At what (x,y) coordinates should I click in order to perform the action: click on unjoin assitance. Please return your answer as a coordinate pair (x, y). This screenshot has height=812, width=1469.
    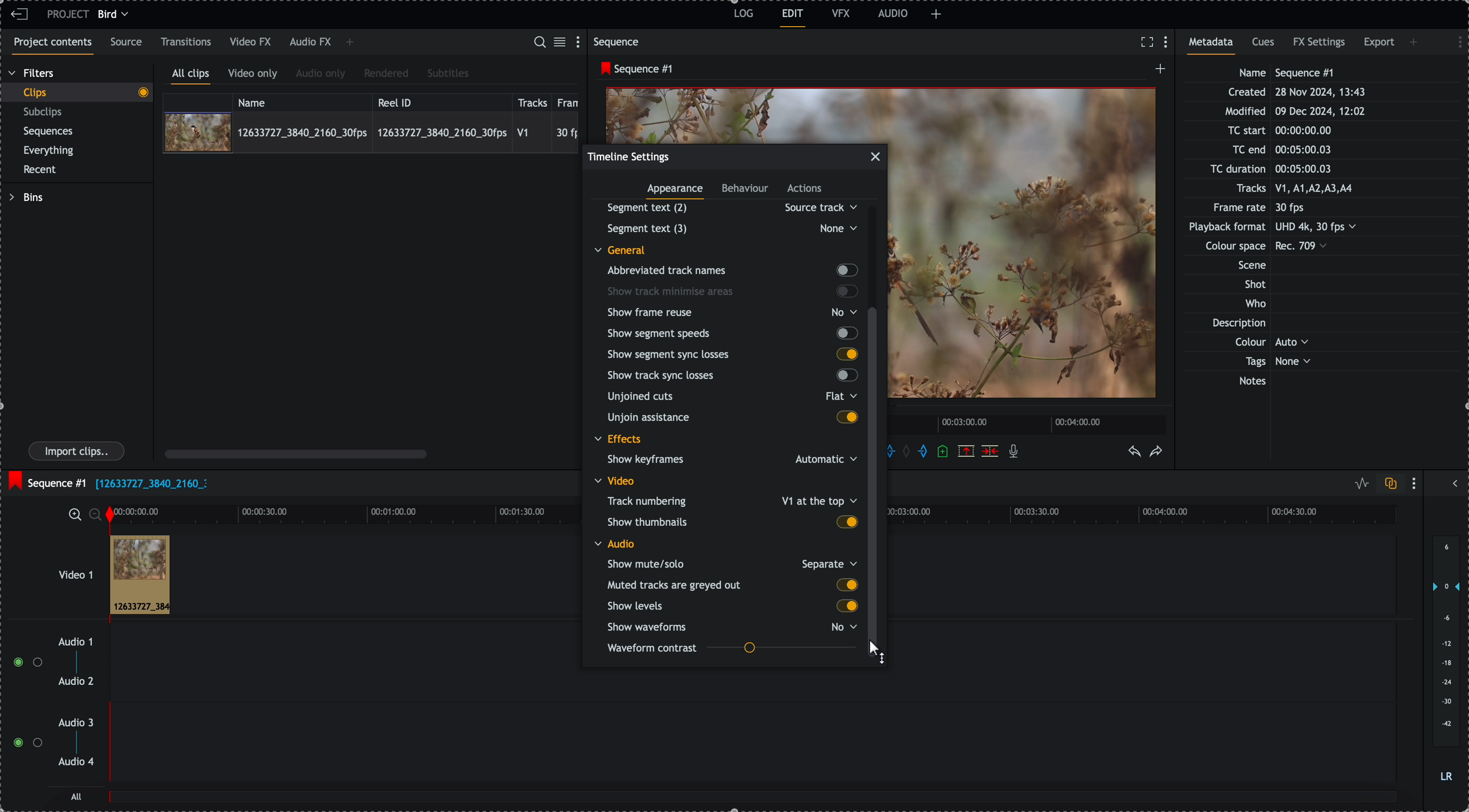
    Looking at the image, I should click on (733, 419).